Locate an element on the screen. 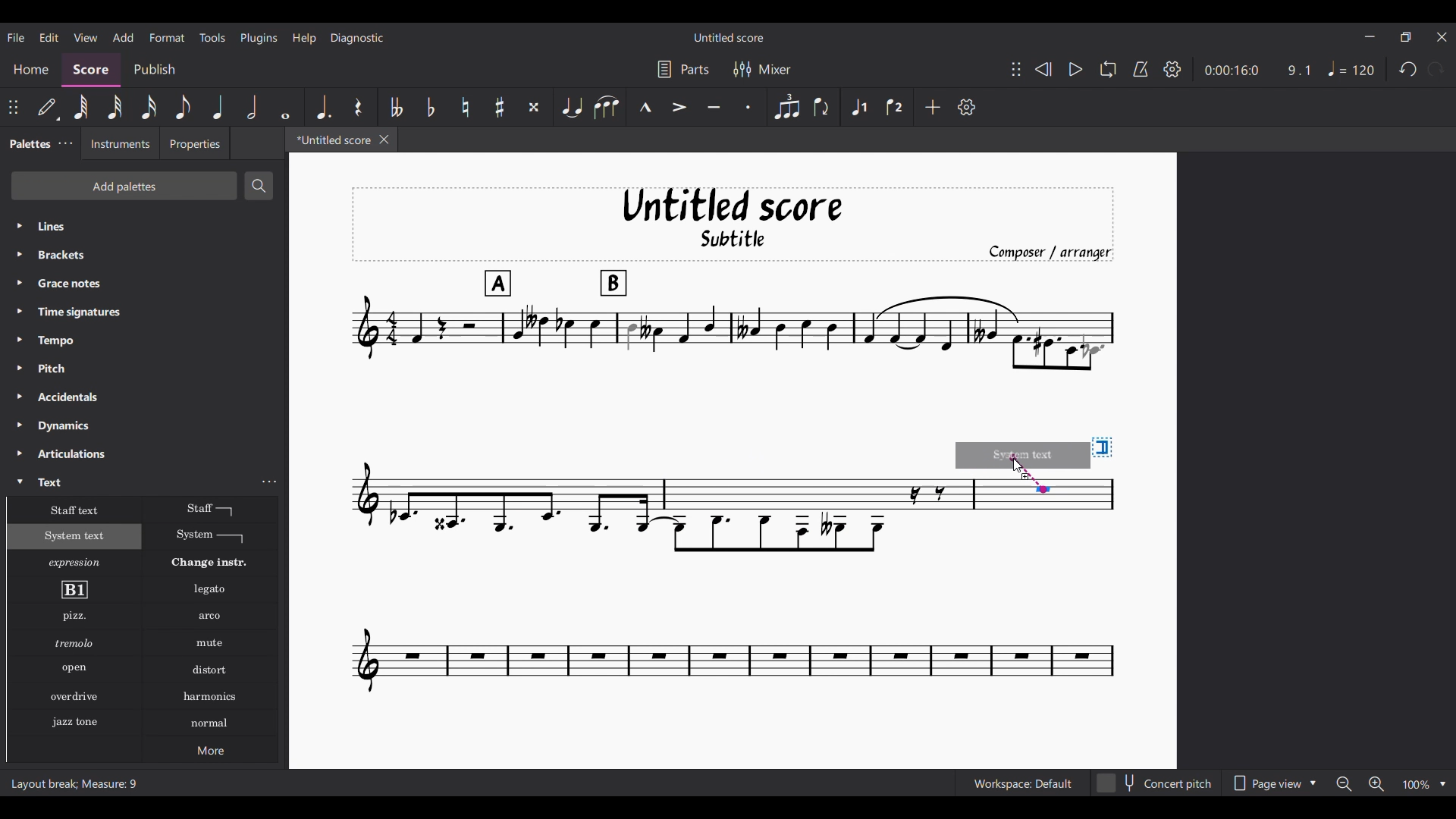 This screenshot has width=1456, height=819. Pizzicato is located at coordinates (74, 616).